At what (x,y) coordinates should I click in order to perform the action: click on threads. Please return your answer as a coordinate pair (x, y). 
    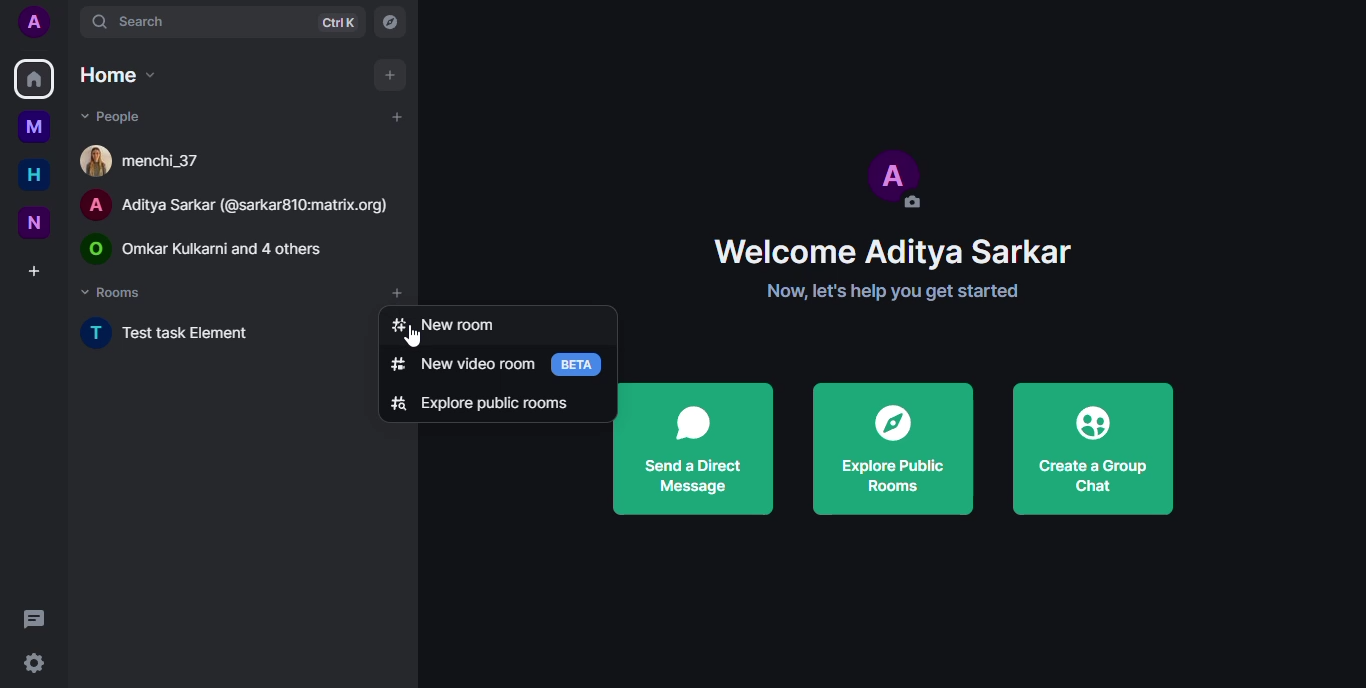
    Looking at the image, I should click on (38, 617).